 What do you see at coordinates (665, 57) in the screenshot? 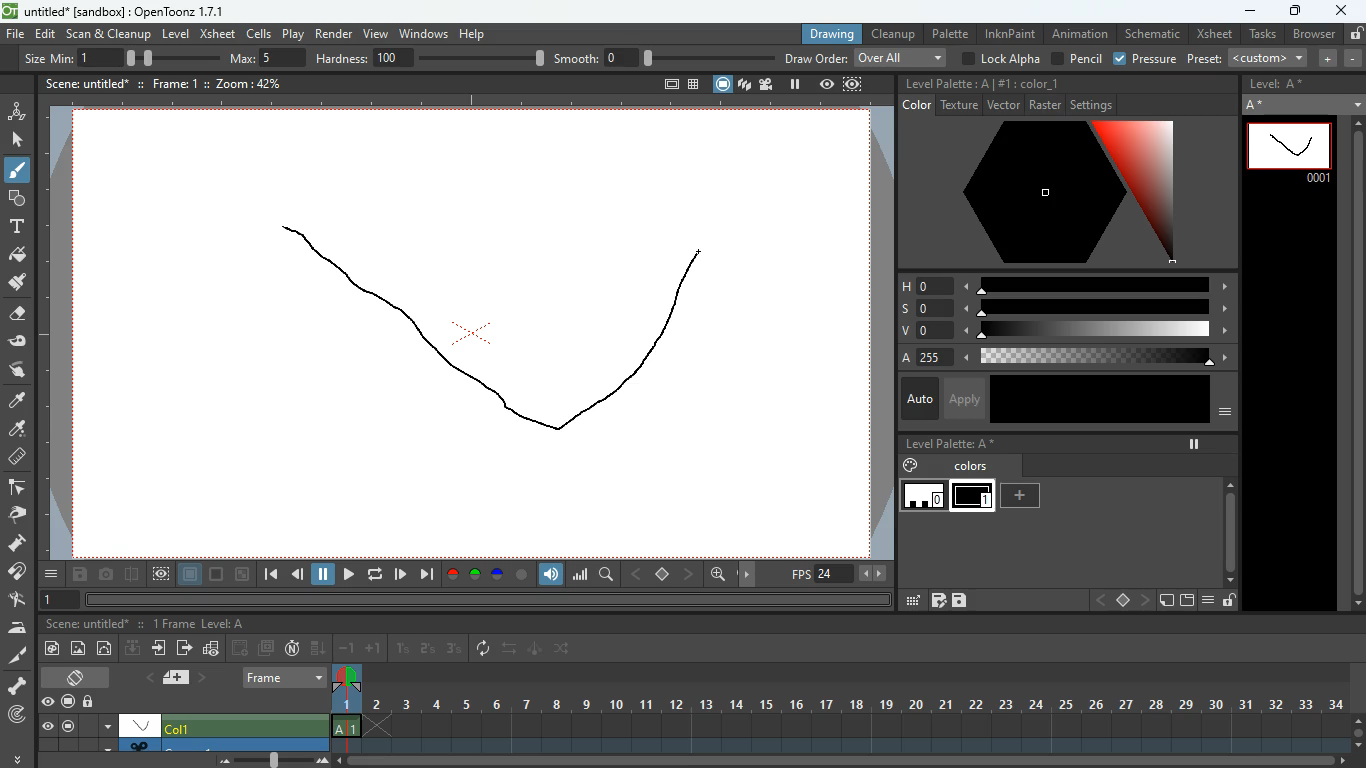
I see `smooth` at bounding box center [665, 57].